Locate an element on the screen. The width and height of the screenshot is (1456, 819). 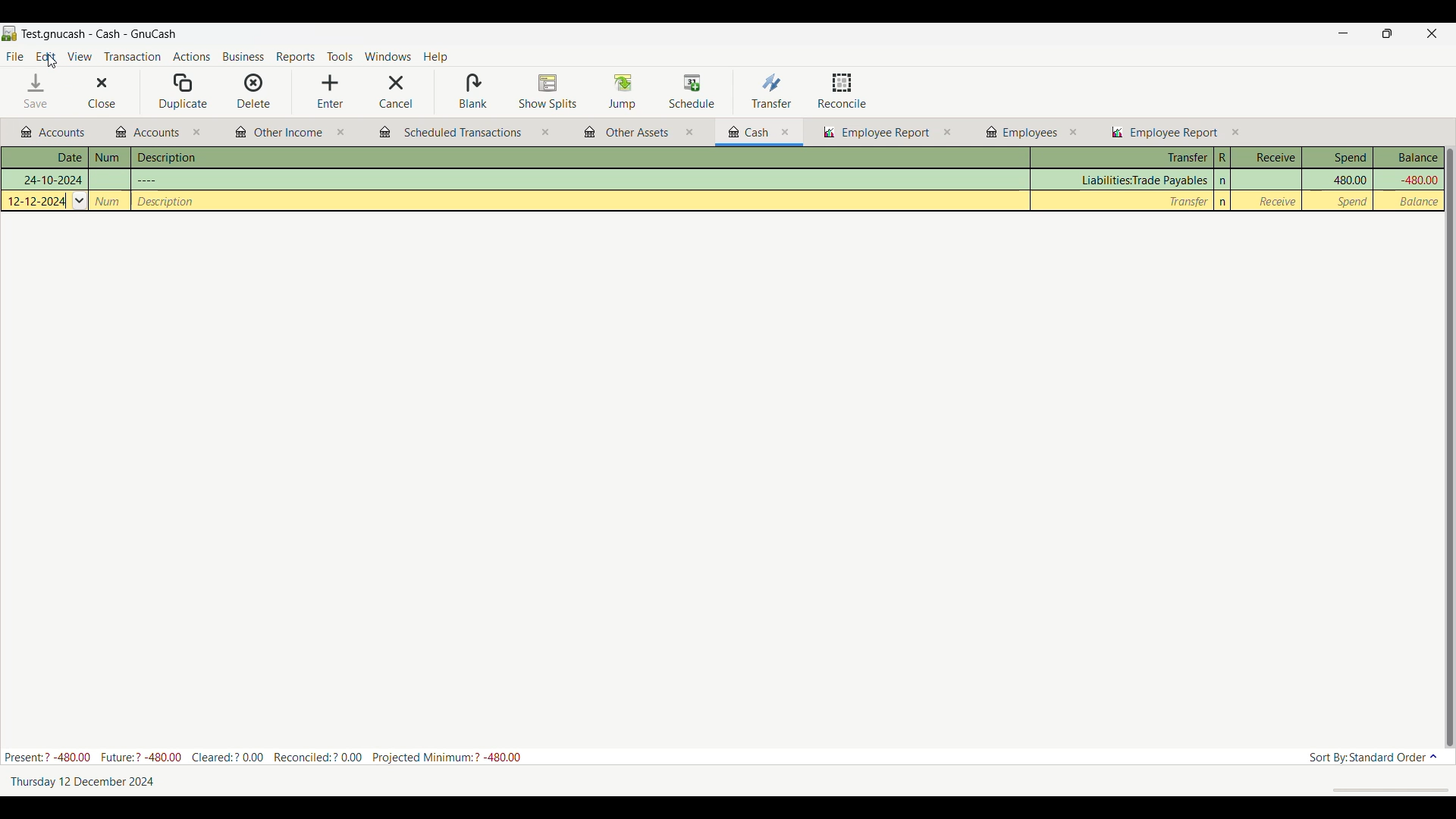
Date column is located at coordinates (67, 157).